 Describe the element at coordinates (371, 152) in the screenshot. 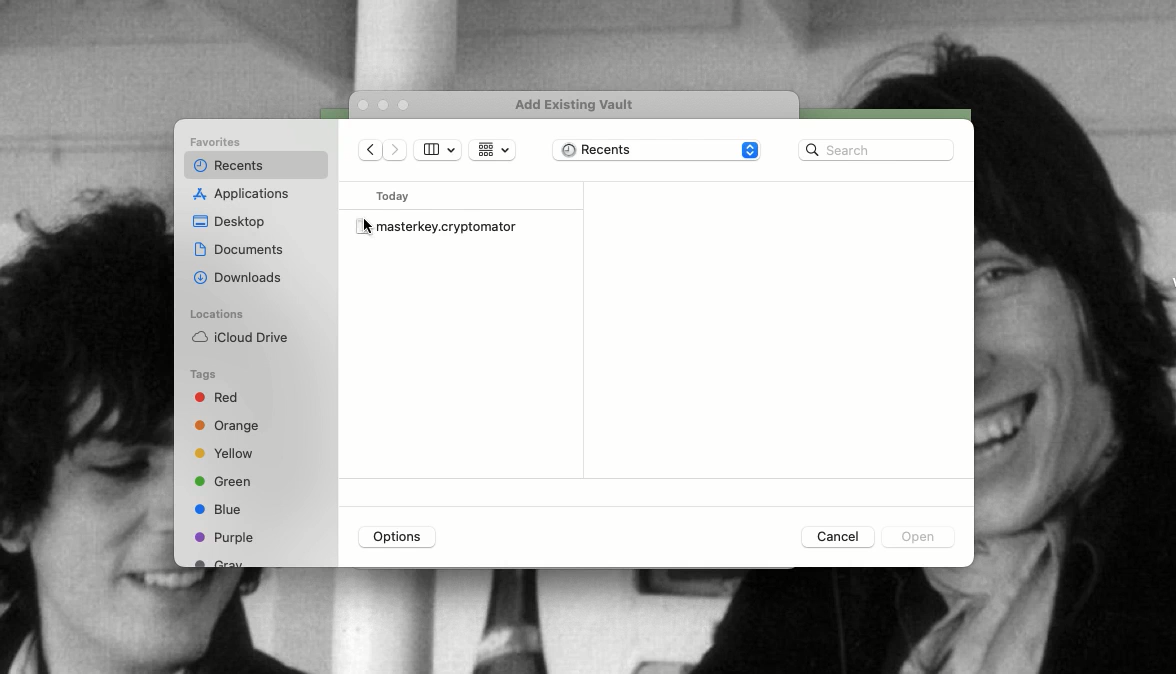

I see `previous` at that location.